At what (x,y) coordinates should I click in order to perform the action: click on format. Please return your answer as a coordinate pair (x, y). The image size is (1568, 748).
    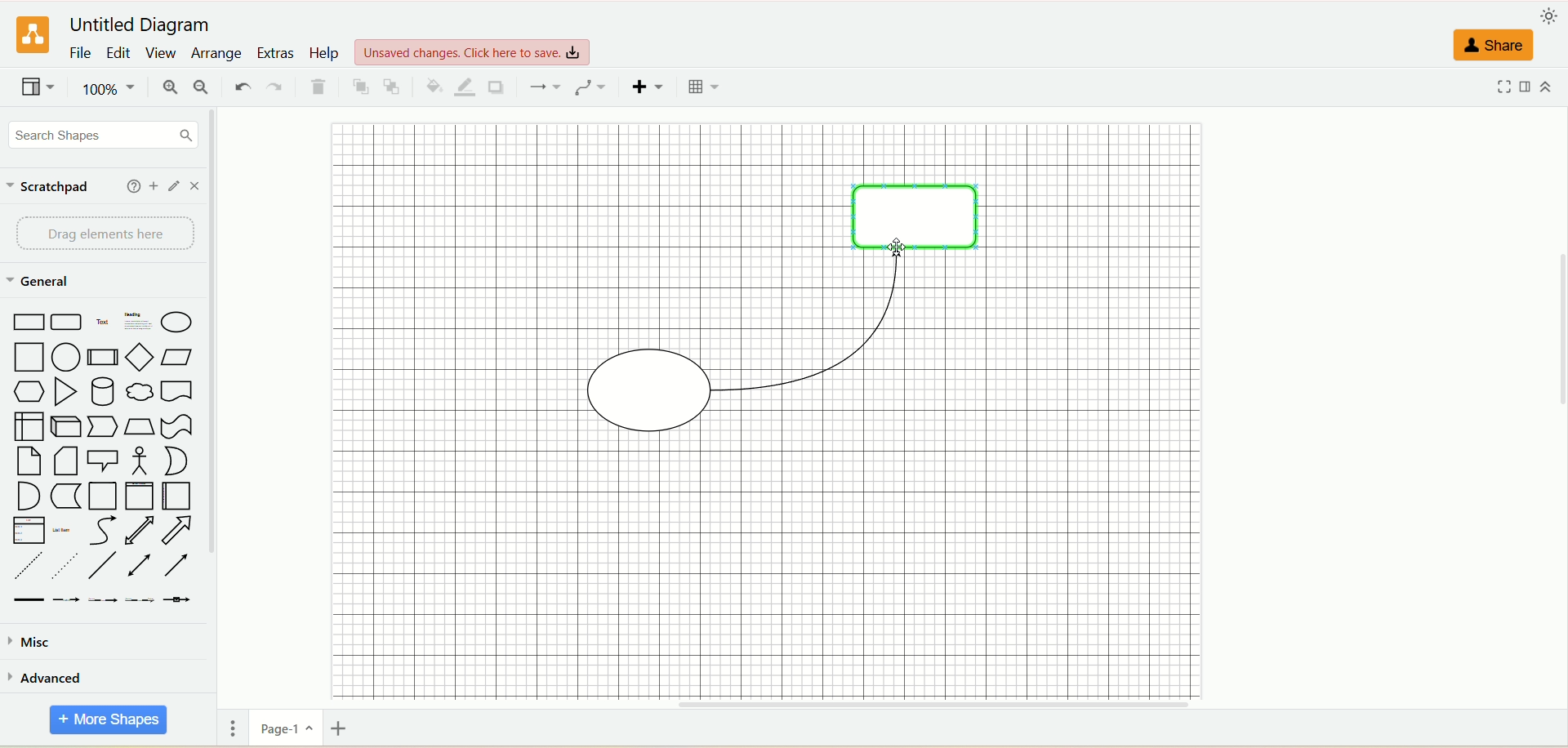
    Looking at the image, I should click on (1526, 87).